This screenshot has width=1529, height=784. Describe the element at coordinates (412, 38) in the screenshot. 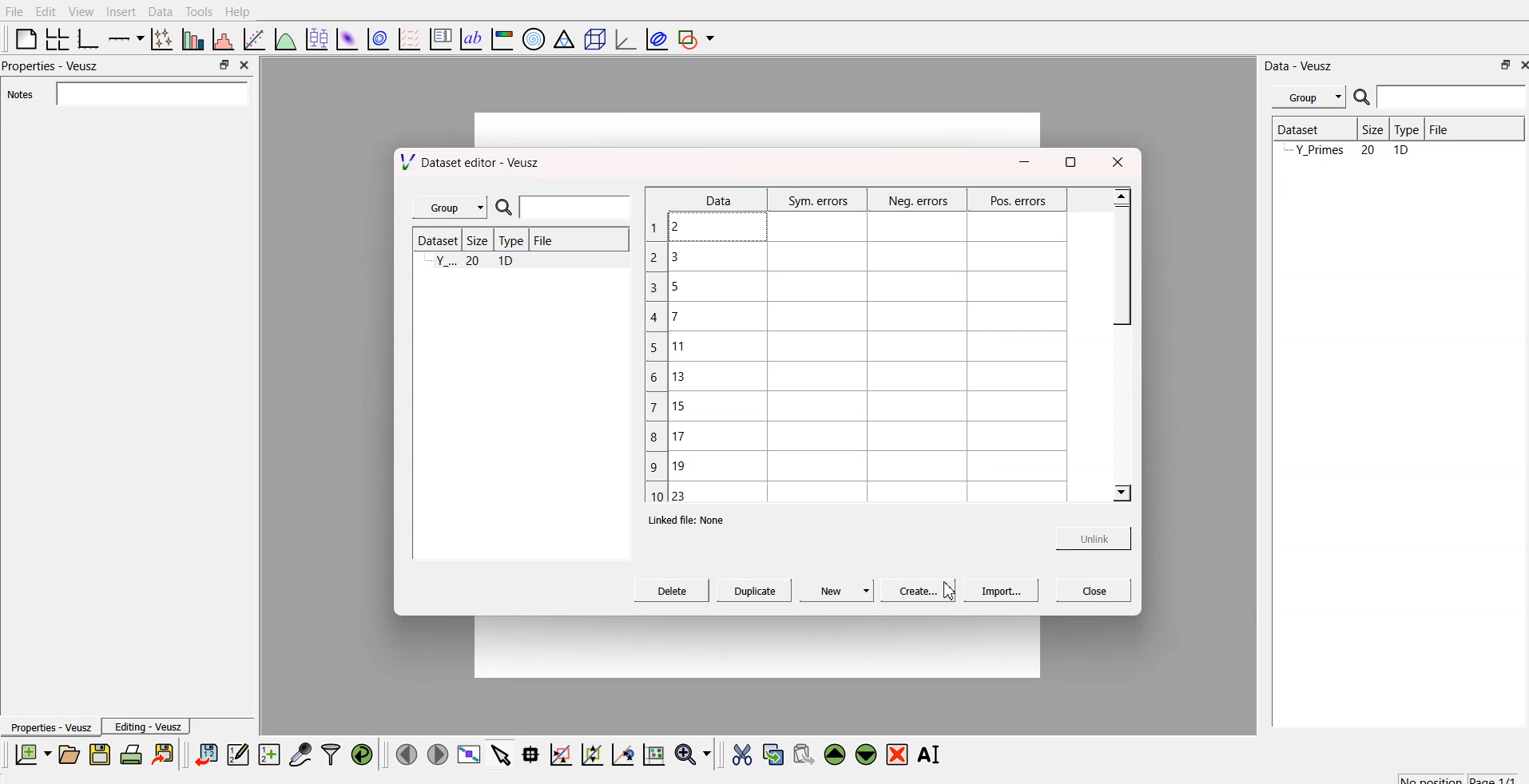

I see `plot a vector field` at that location.